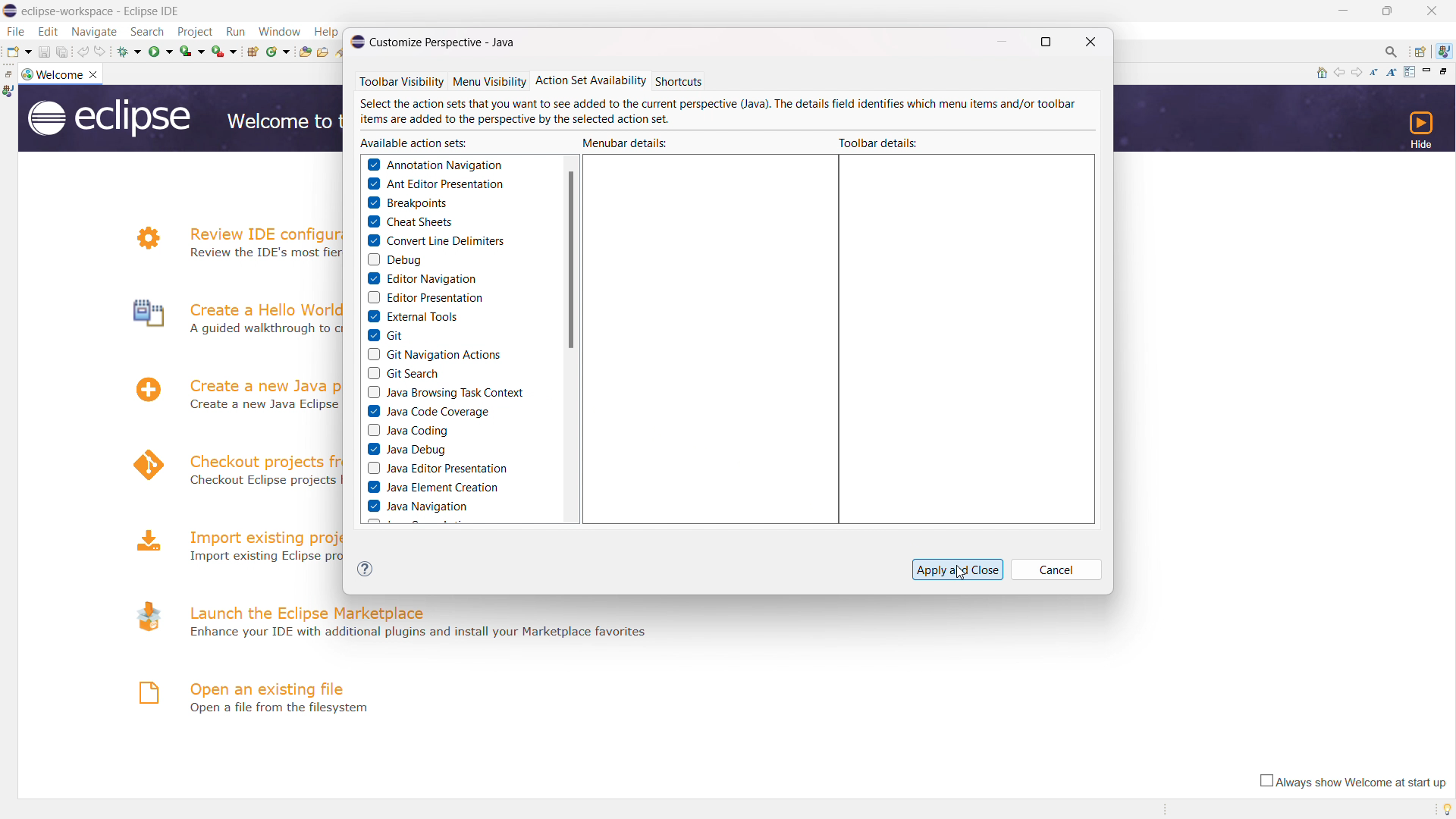 This screenshot has height=819, width=1456. I want to click on undo, so click(83, 52).